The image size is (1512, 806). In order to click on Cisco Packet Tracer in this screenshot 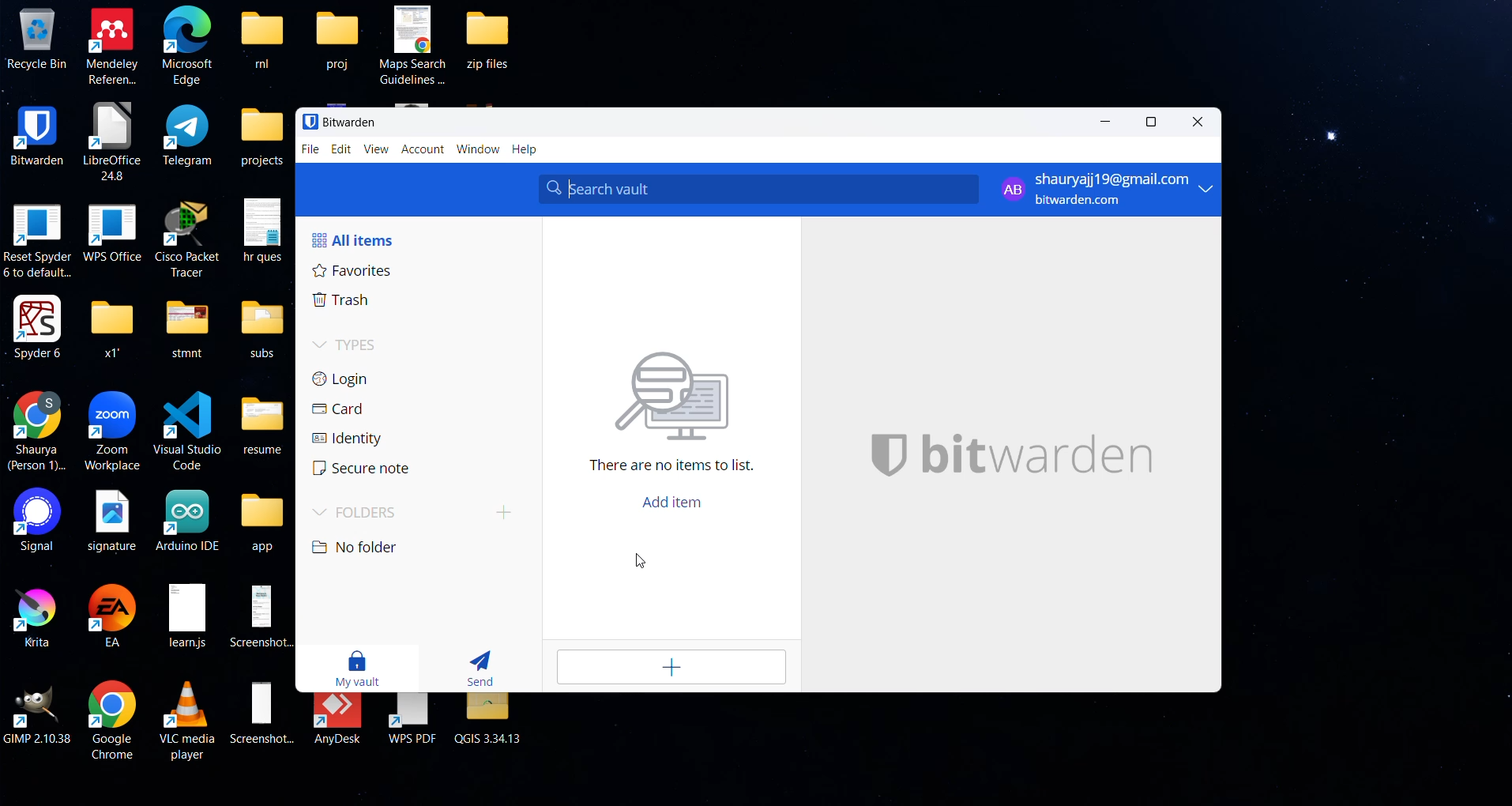, I will do `click(187, 236)`.